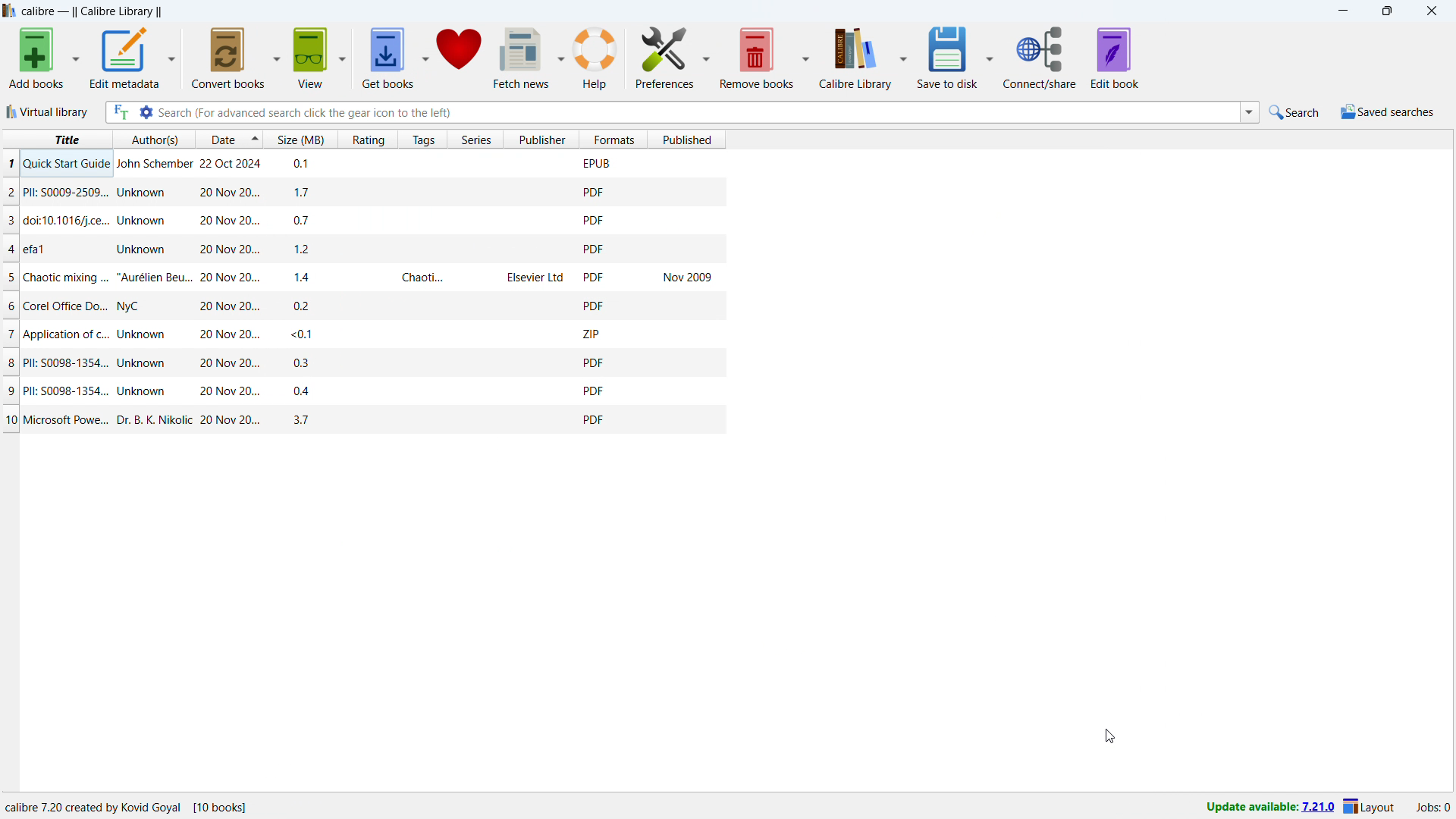  Describe the element at coordinates (388, 58) in the screenshot. I see `get books` at that location.